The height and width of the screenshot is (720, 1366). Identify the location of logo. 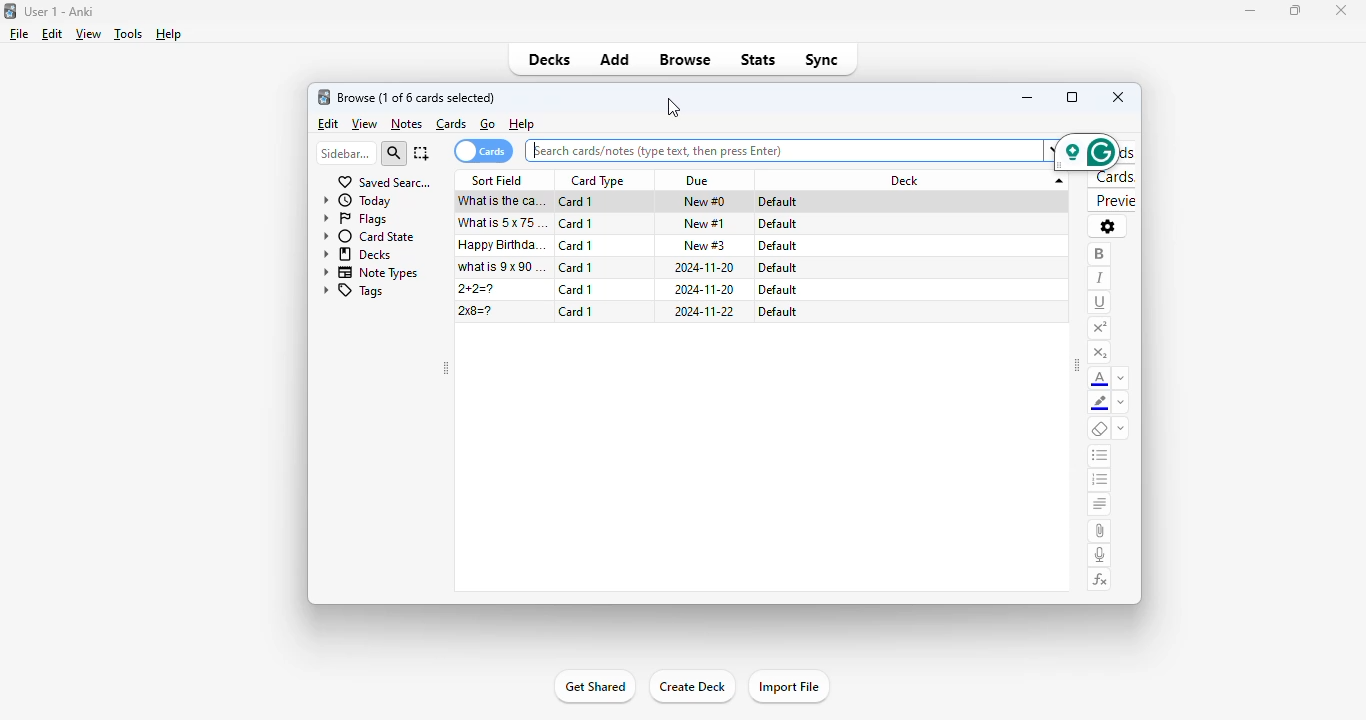
(11, 11).